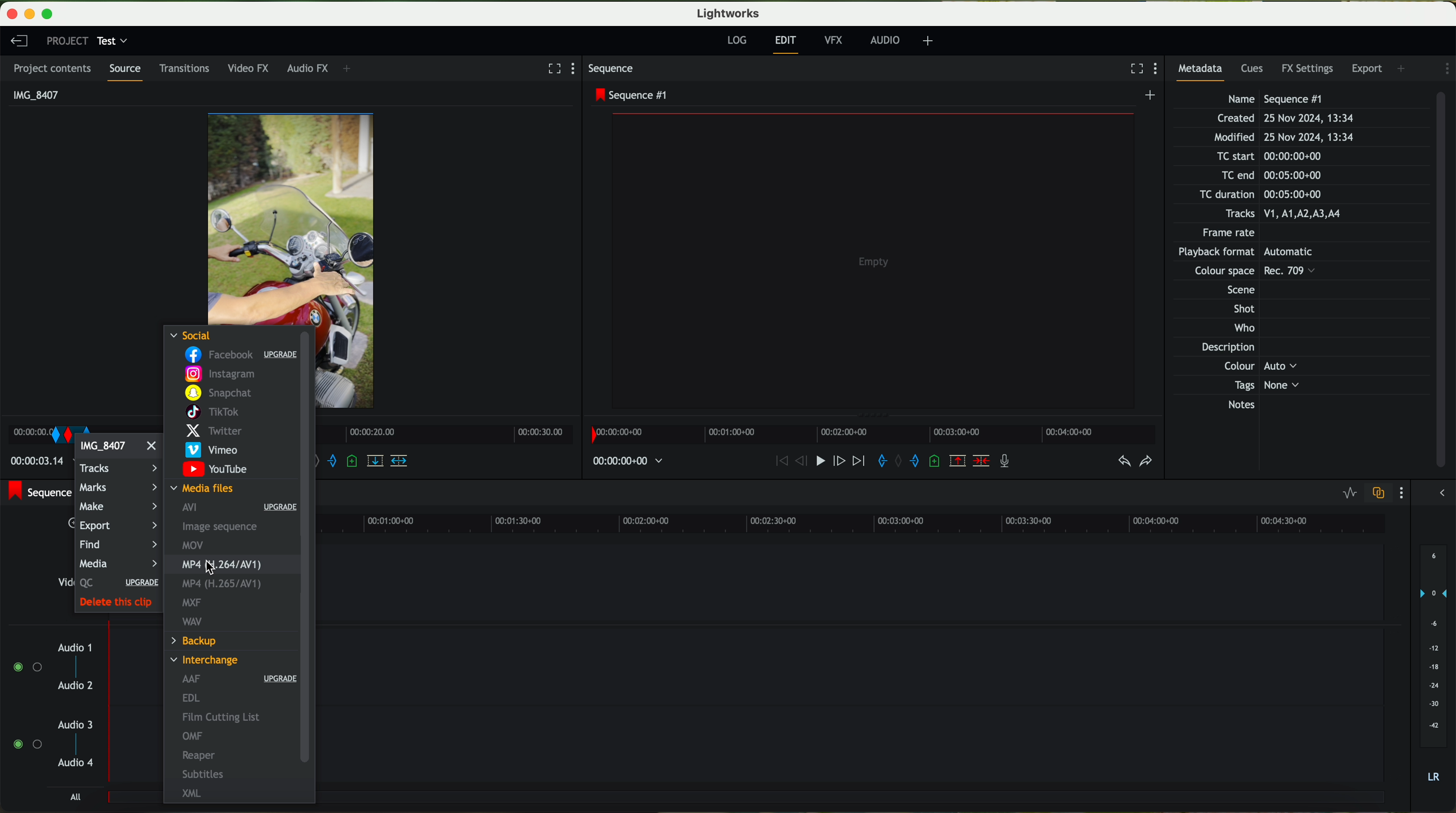  Describe the element at coordinates (877, 461) in the screenshot. I see `add an in mark` at that location.